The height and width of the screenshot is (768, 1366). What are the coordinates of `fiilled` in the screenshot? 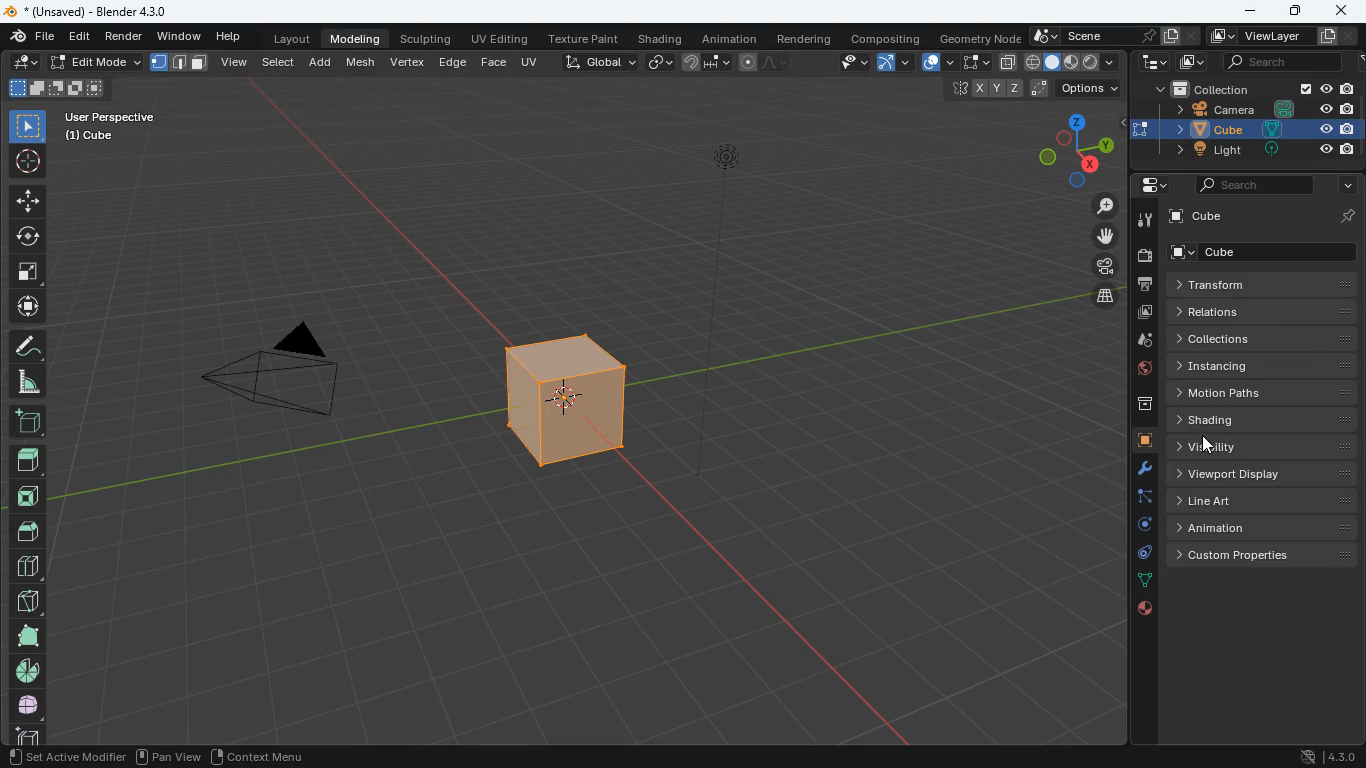 It's located at (28, 464).